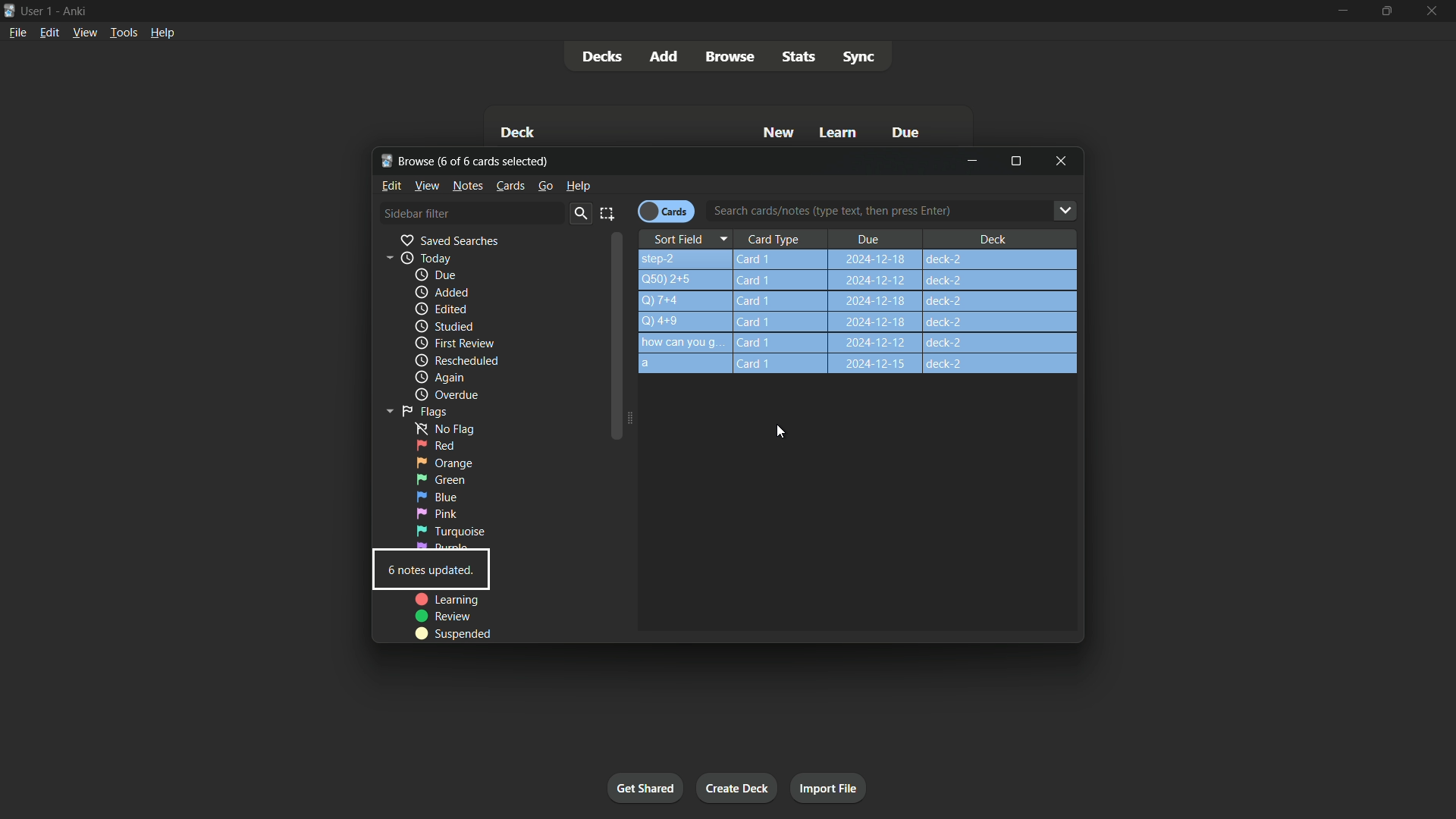  Describe the element at coordinates (448, 240) in the screenshot. I see `Saved searches` at that location.